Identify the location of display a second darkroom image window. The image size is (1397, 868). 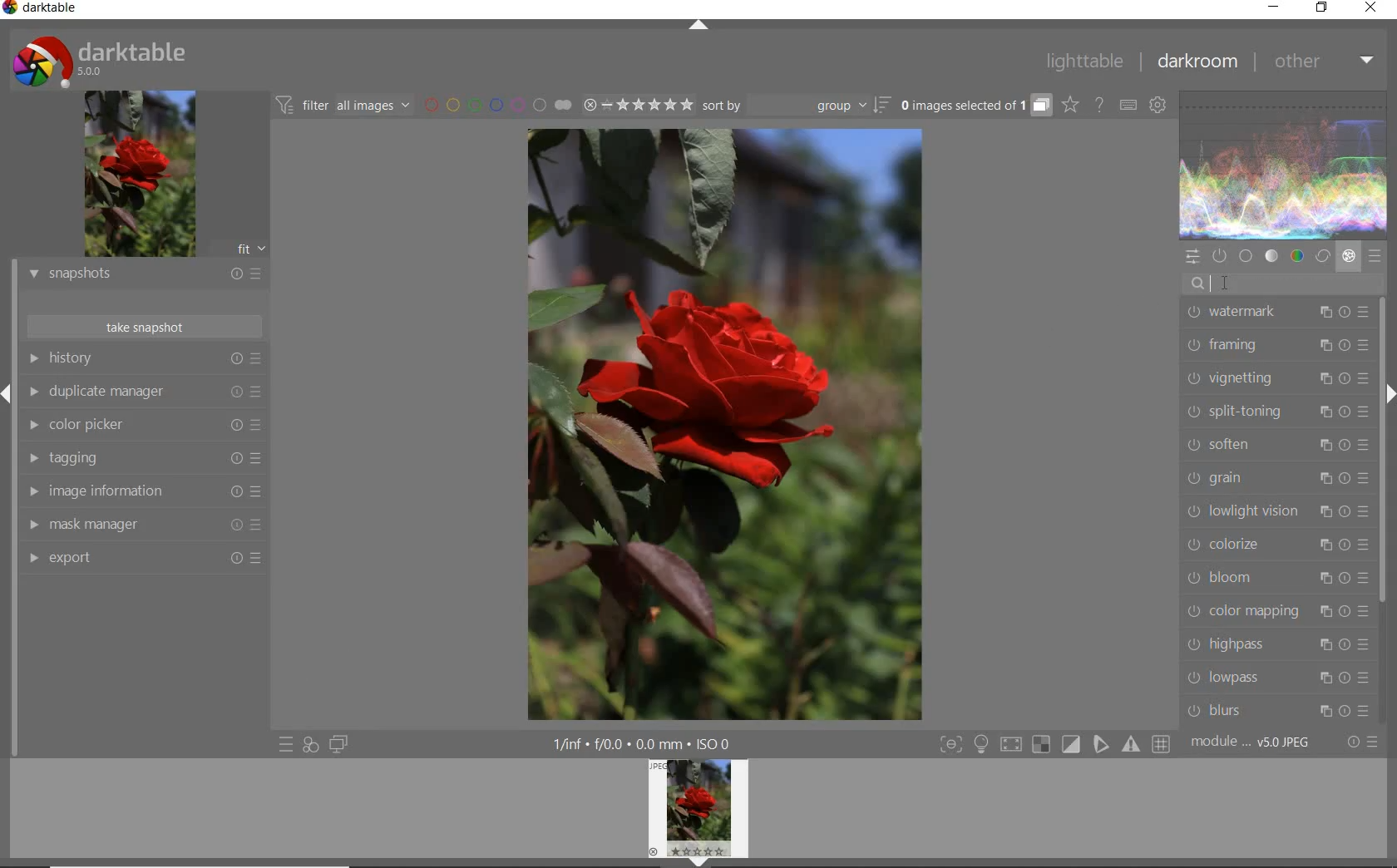
(338, 745).